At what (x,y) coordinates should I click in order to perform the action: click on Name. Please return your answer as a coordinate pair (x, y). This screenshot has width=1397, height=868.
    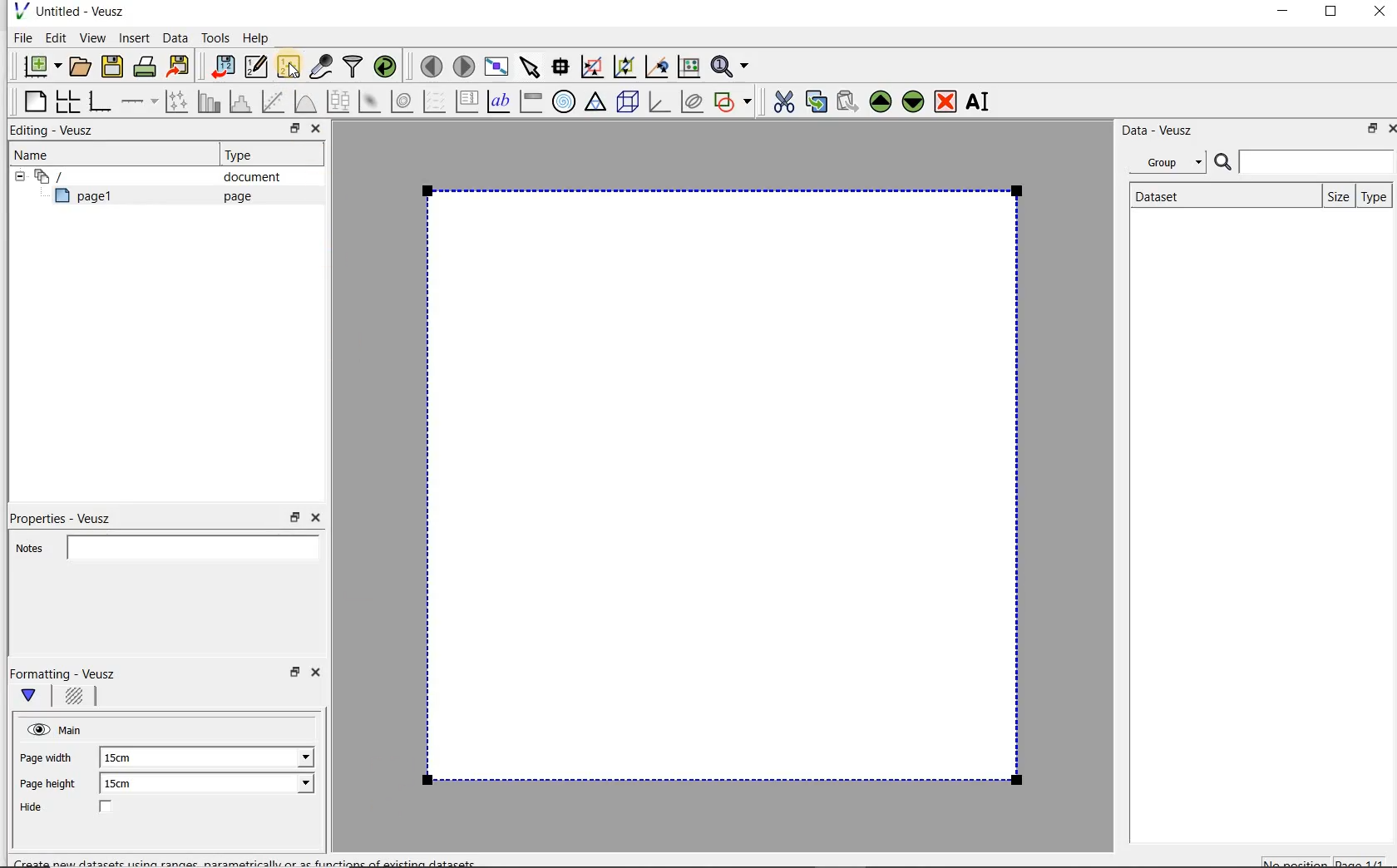
    Looking at the image, I should click on (37, 154).